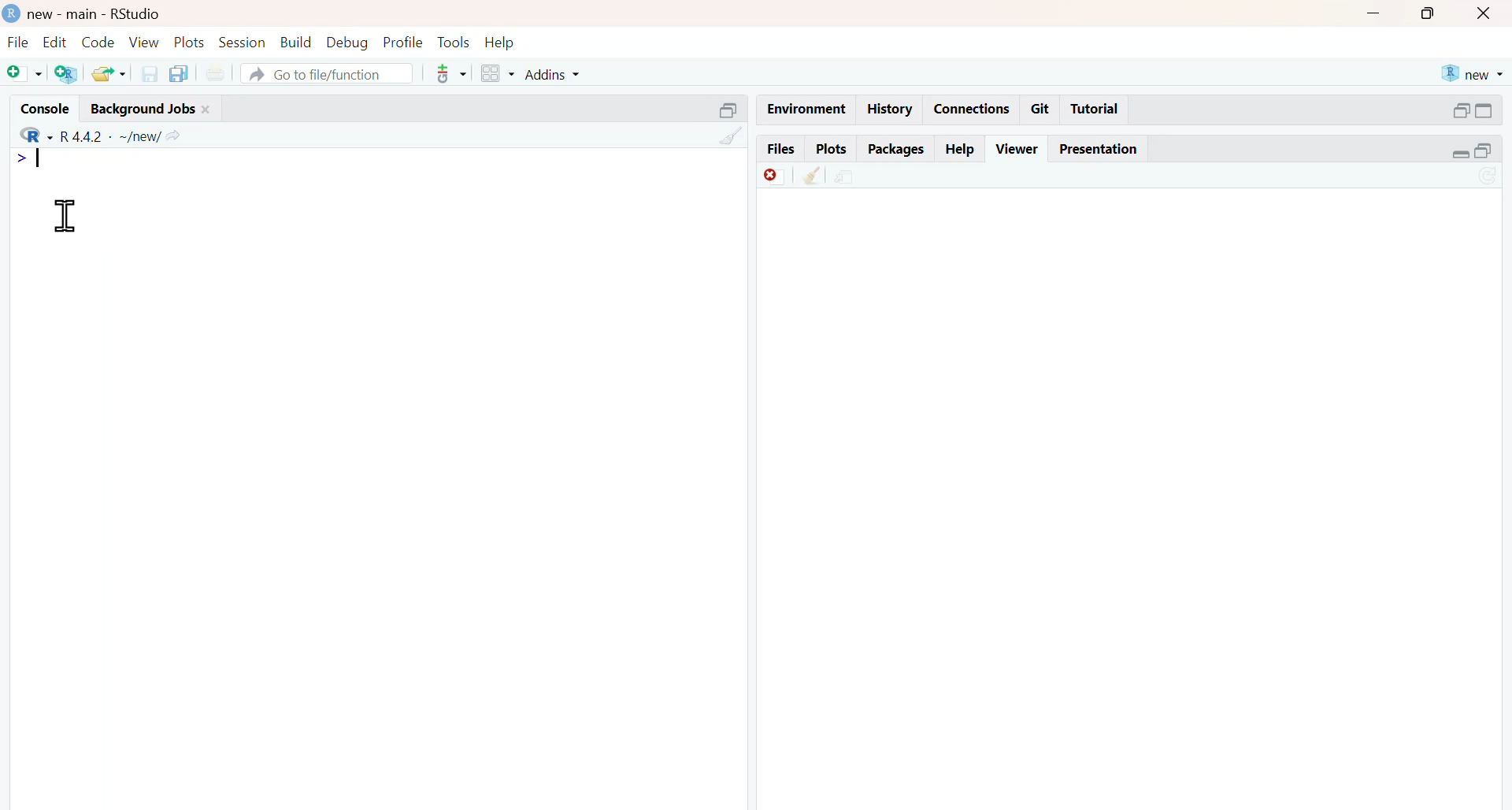  What do you see at coordinates (326, 74) in the screenshot?
I see `go to file/function` at bounding box center [326, 74].